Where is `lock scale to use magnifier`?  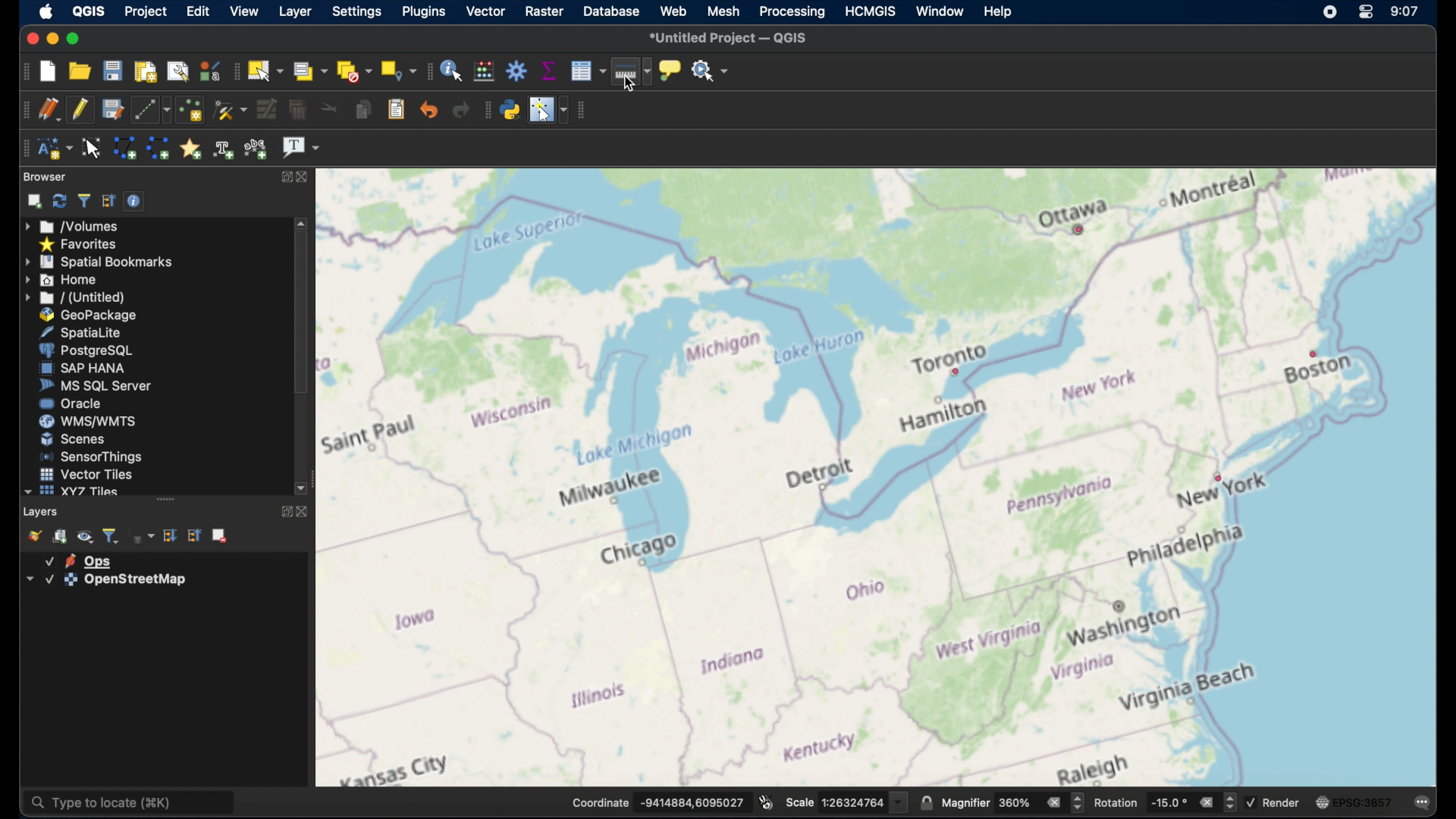
lock scale to use magnifier is located at coordinates (926, 803).